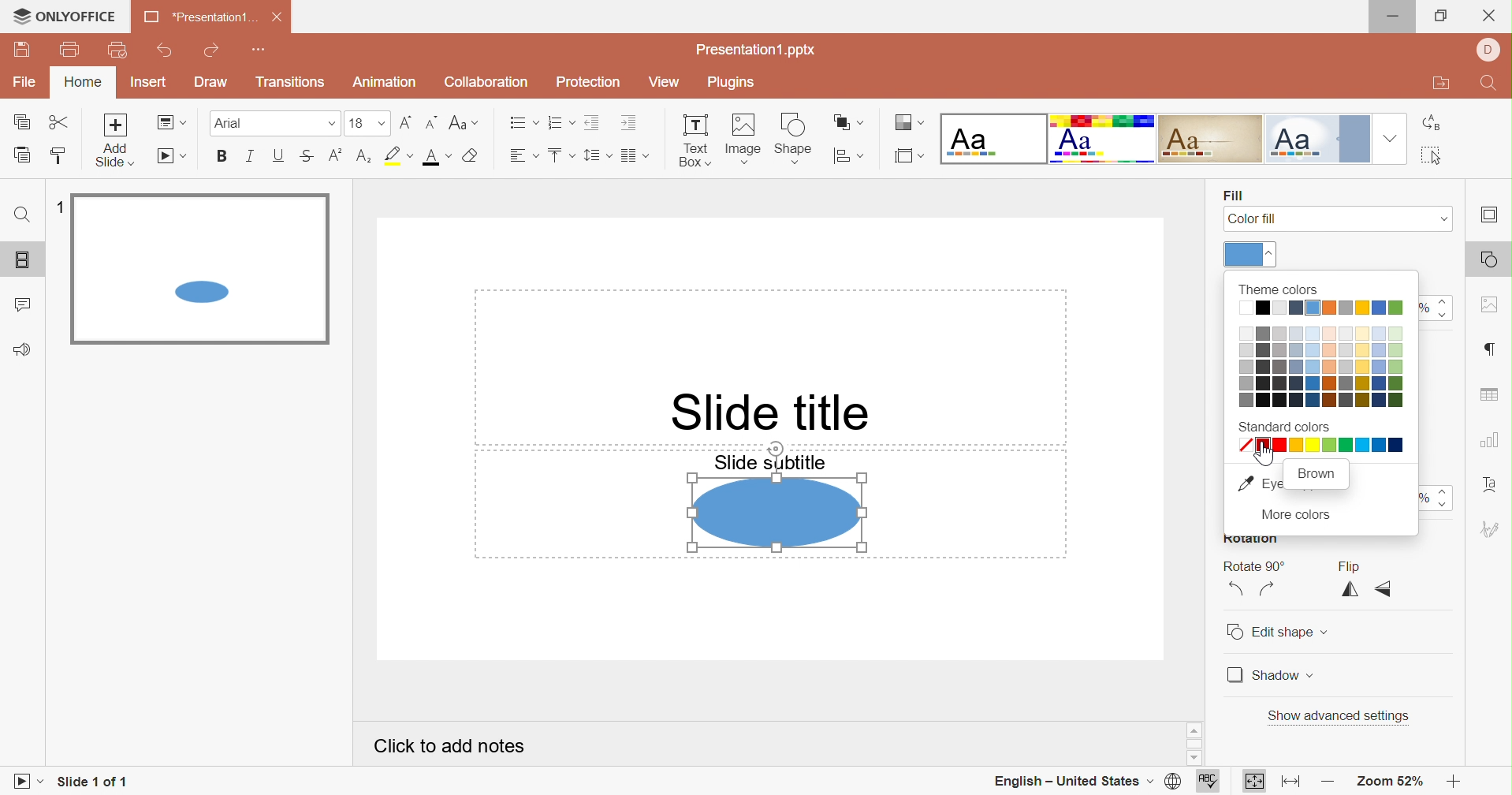 The image size is (1512, 795). What do you see at coordinates (386, 82) in the screenshot?
I see `Animation` at bounding box center [386, 82].